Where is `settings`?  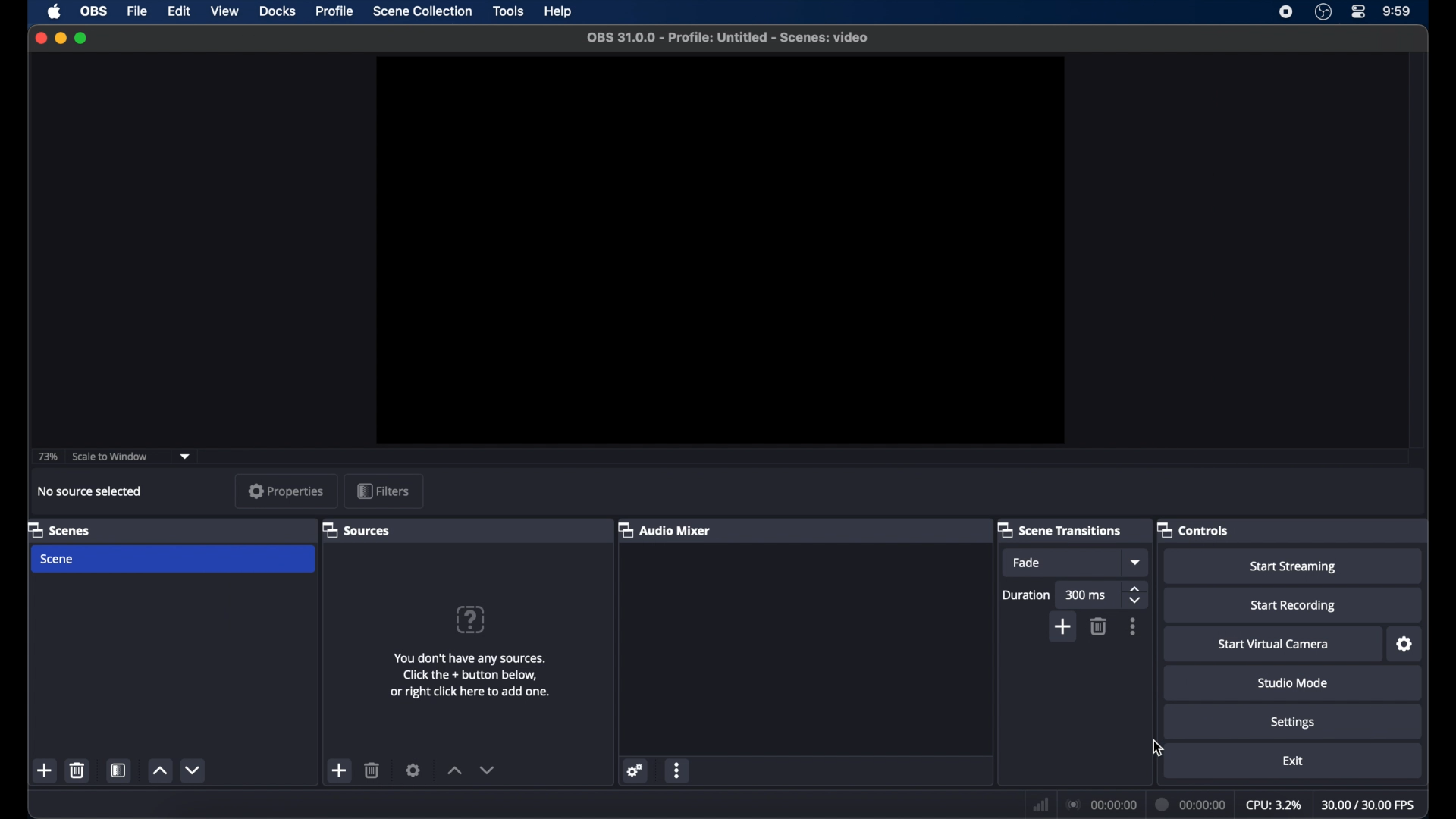 settings is located at coordinates (1405, 644).